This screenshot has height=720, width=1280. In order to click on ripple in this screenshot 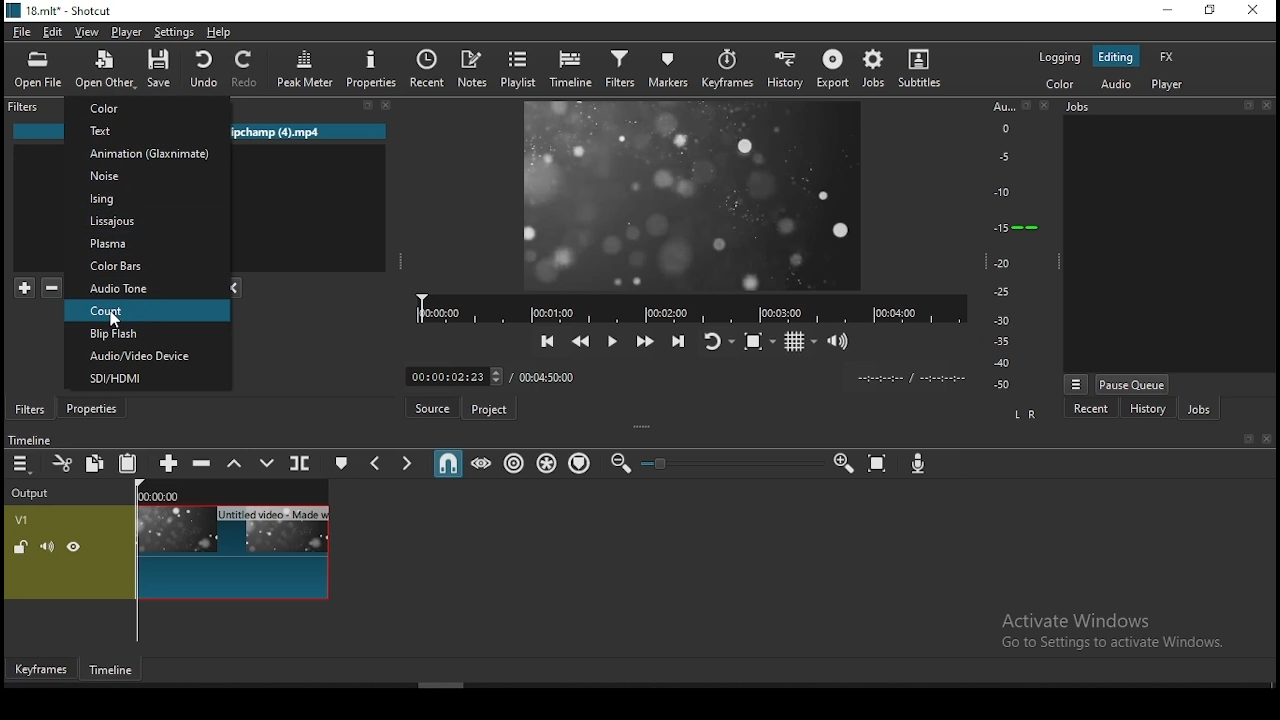, I will do `click(511, 463)`.